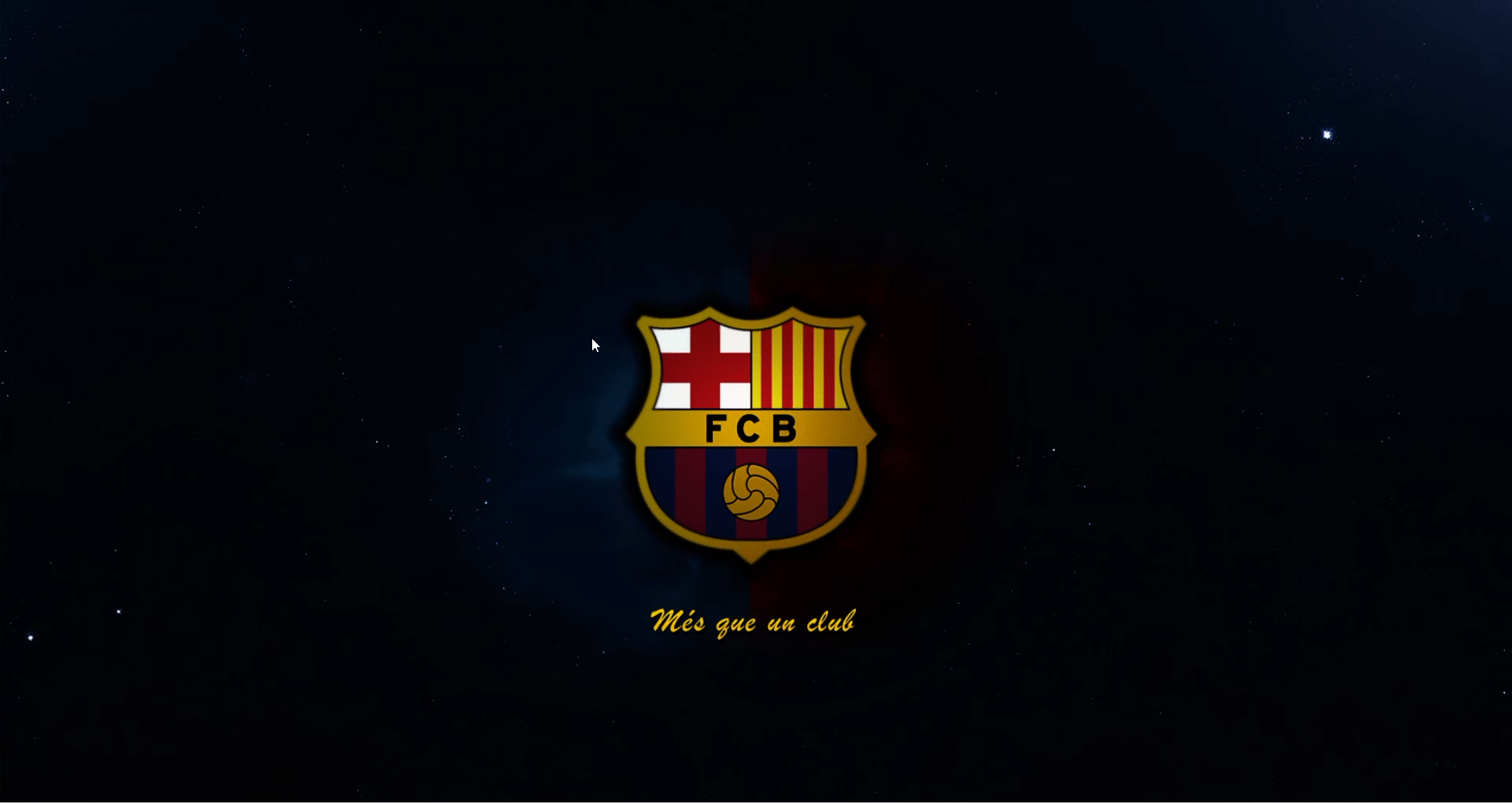 The height and width of the screenshot is (803, 1512). Describe the element at coordinates (590, 348) in the screenshot. I see `cursor` at that location.